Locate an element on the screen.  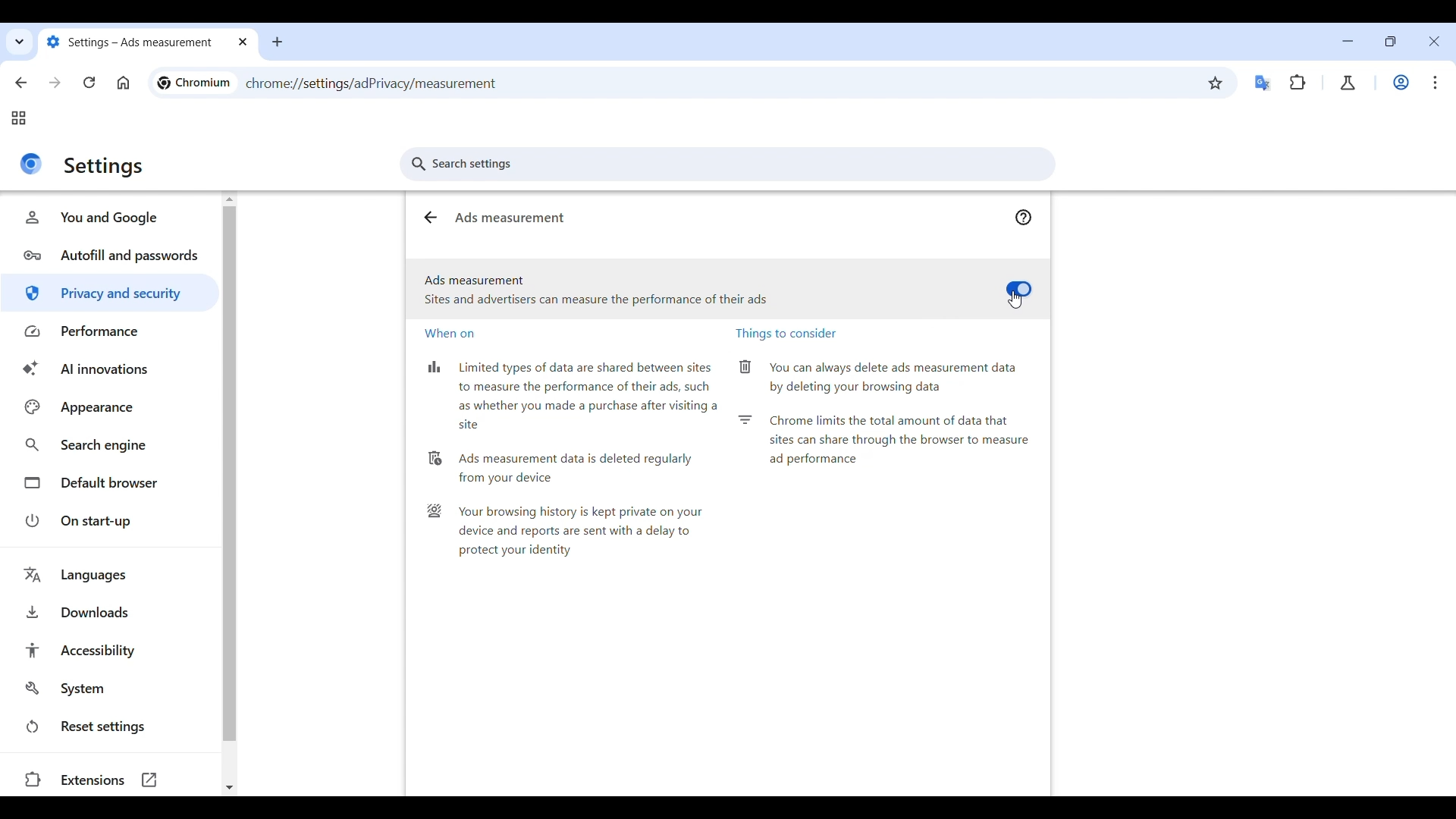
Ads measurement is located at coordinates (516, 218).